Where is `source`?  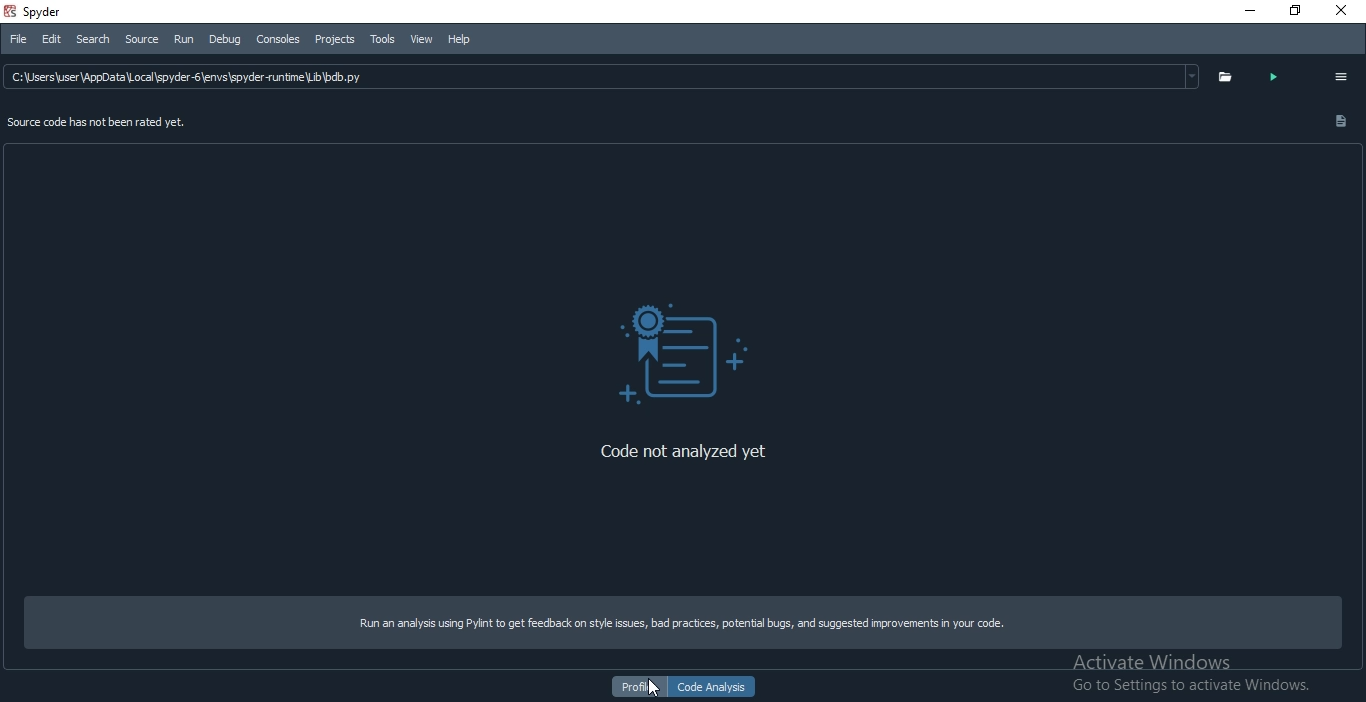 source is located at coordinates (139, 38).